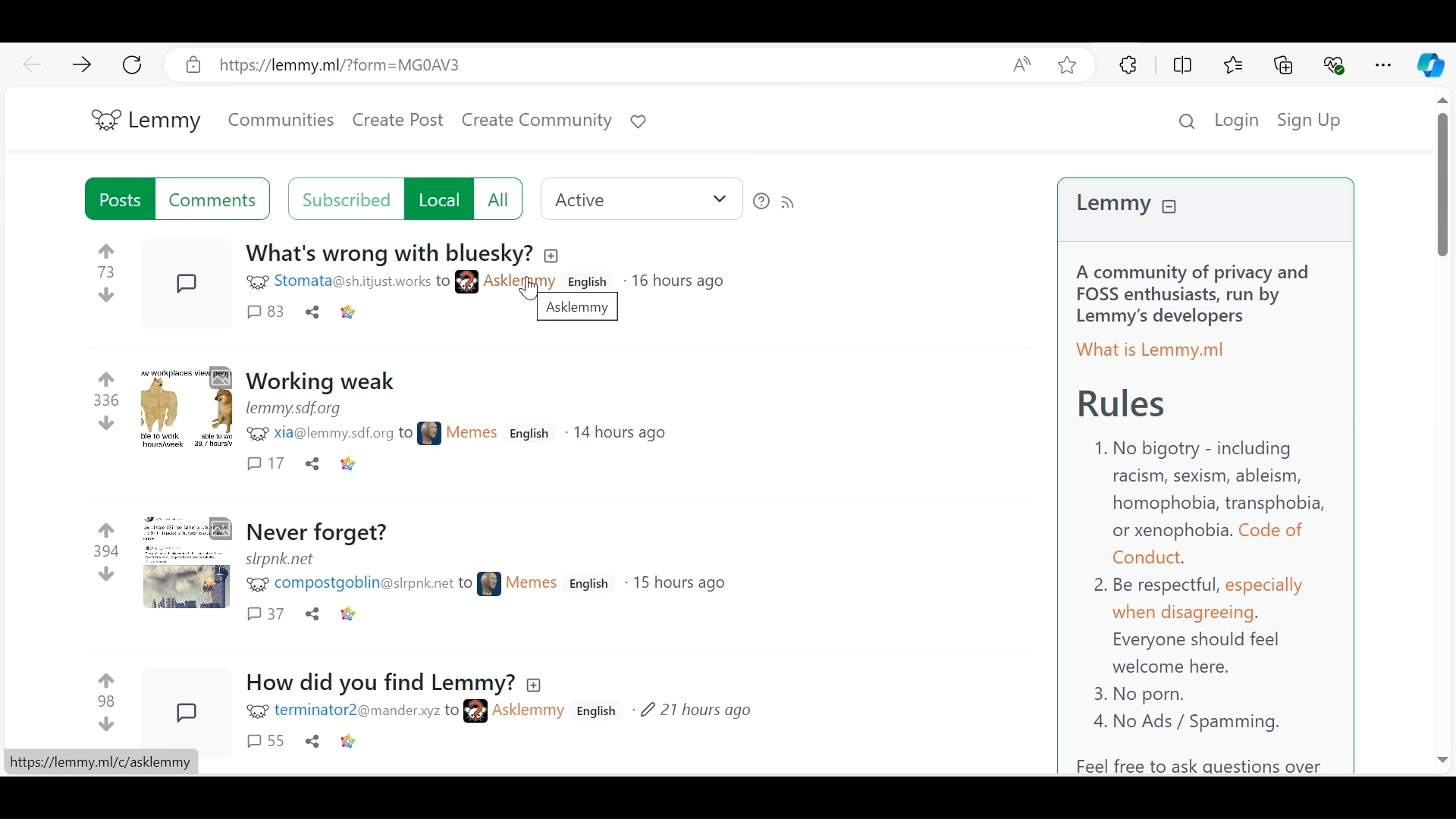  Describe the element at coordinates (1128, 66) in the screenshot. I see `Extensions` at that location.